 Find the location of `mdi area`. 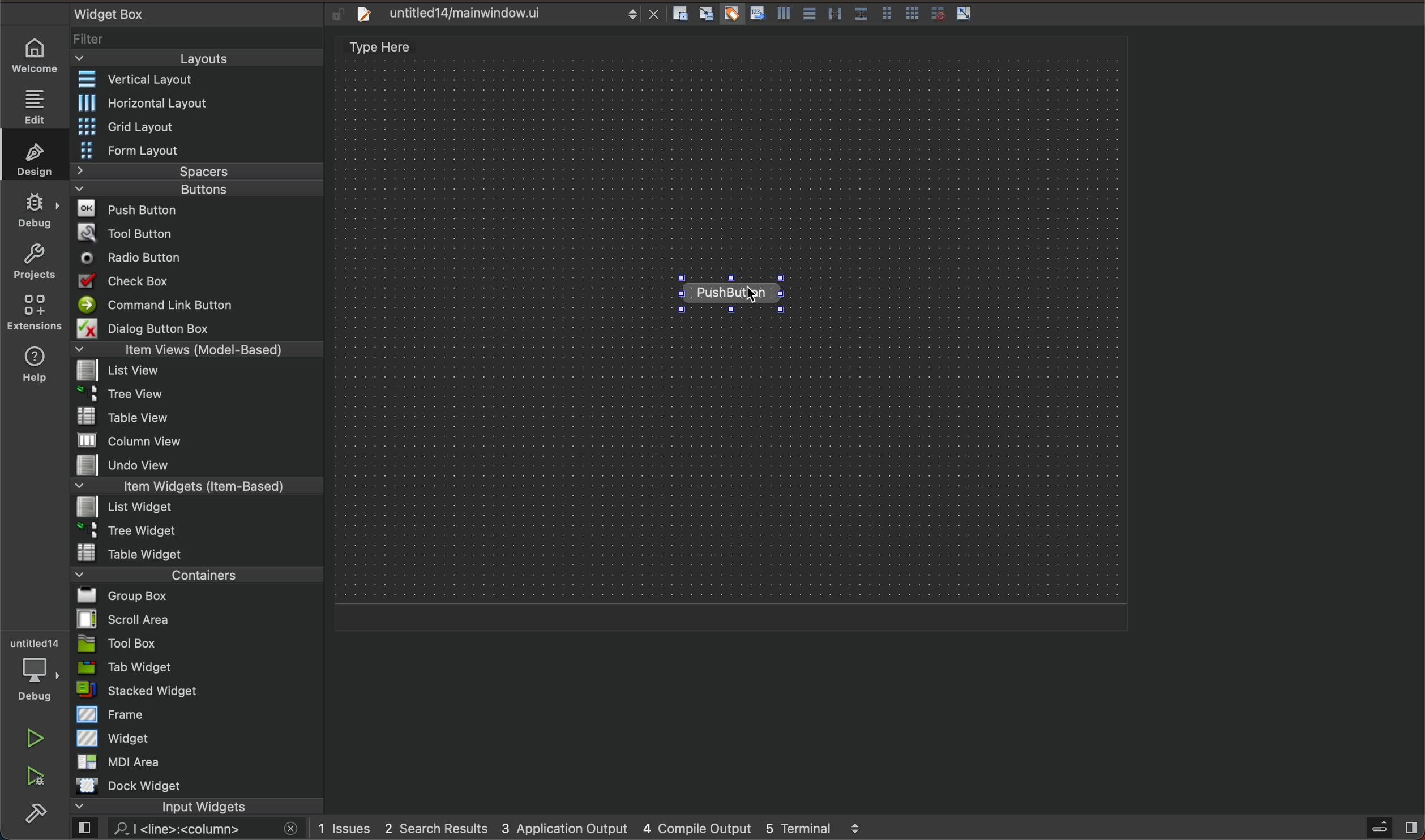

mdi area is located at coordinates (198, 765).